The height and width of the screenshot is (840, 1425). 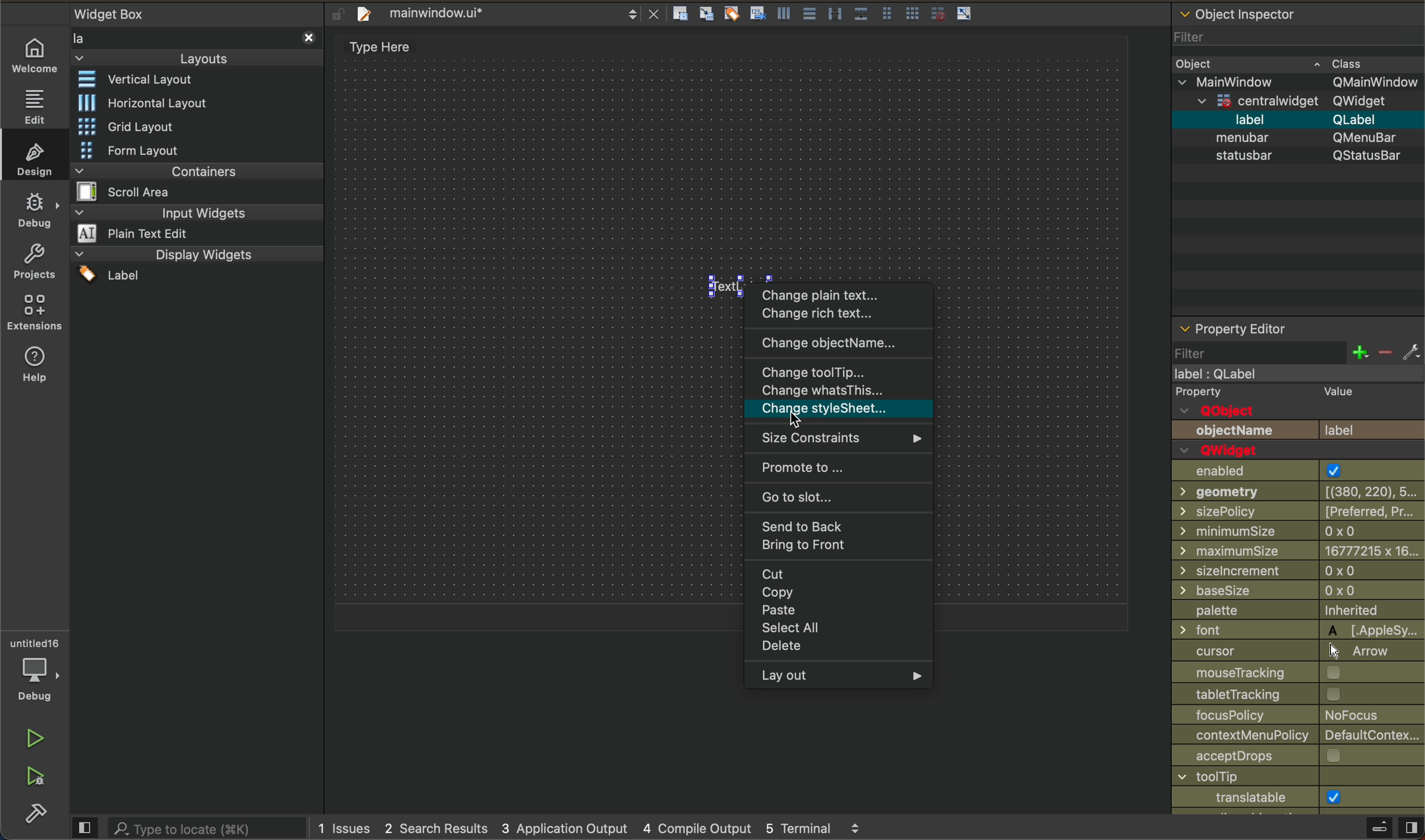 What do you see at coordinates (147, 82) in the screenshot?
I see `widget layout` at bounding box center [147, 82].